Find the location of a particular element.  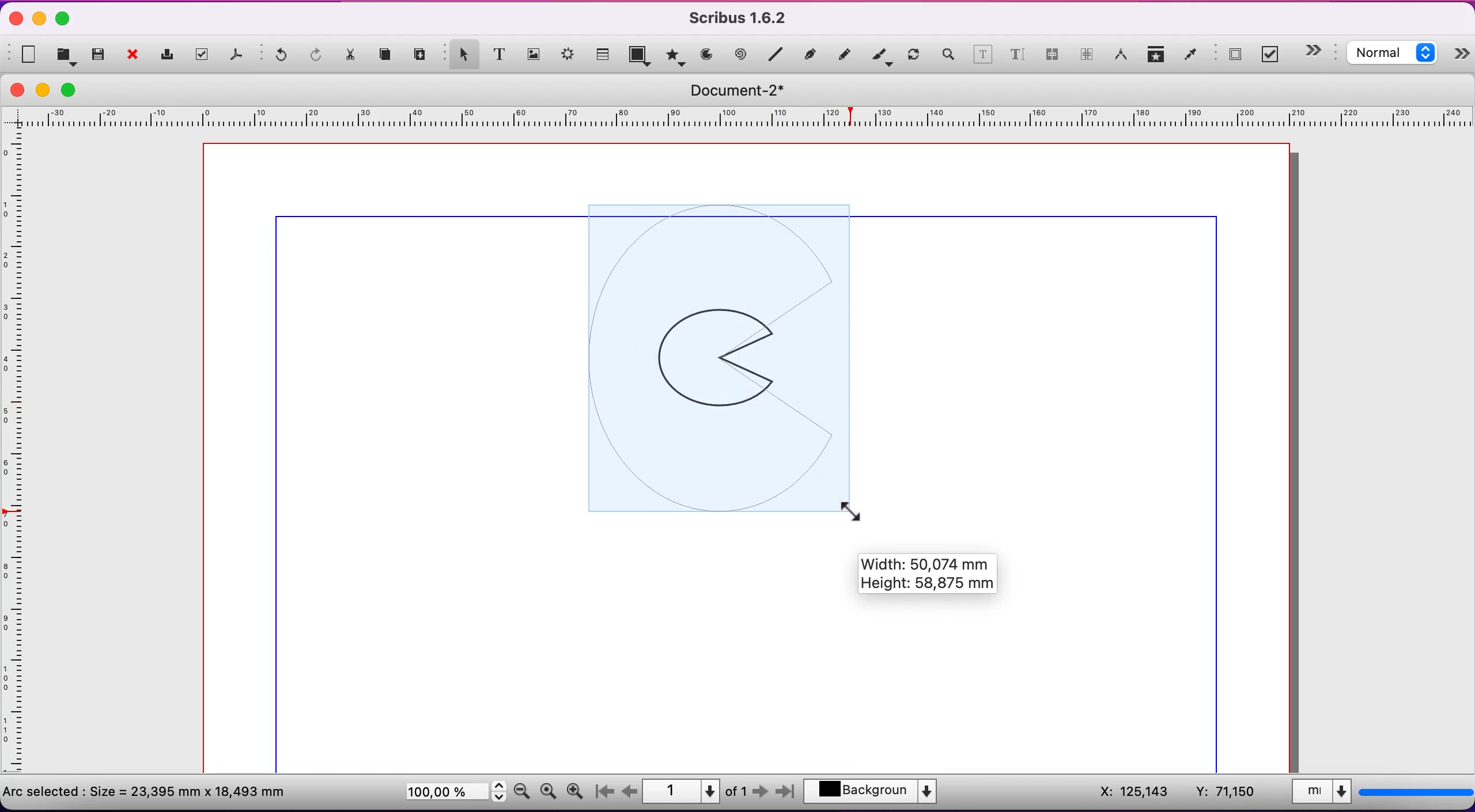

zoom to 100% is located at coordinates (548, 794).